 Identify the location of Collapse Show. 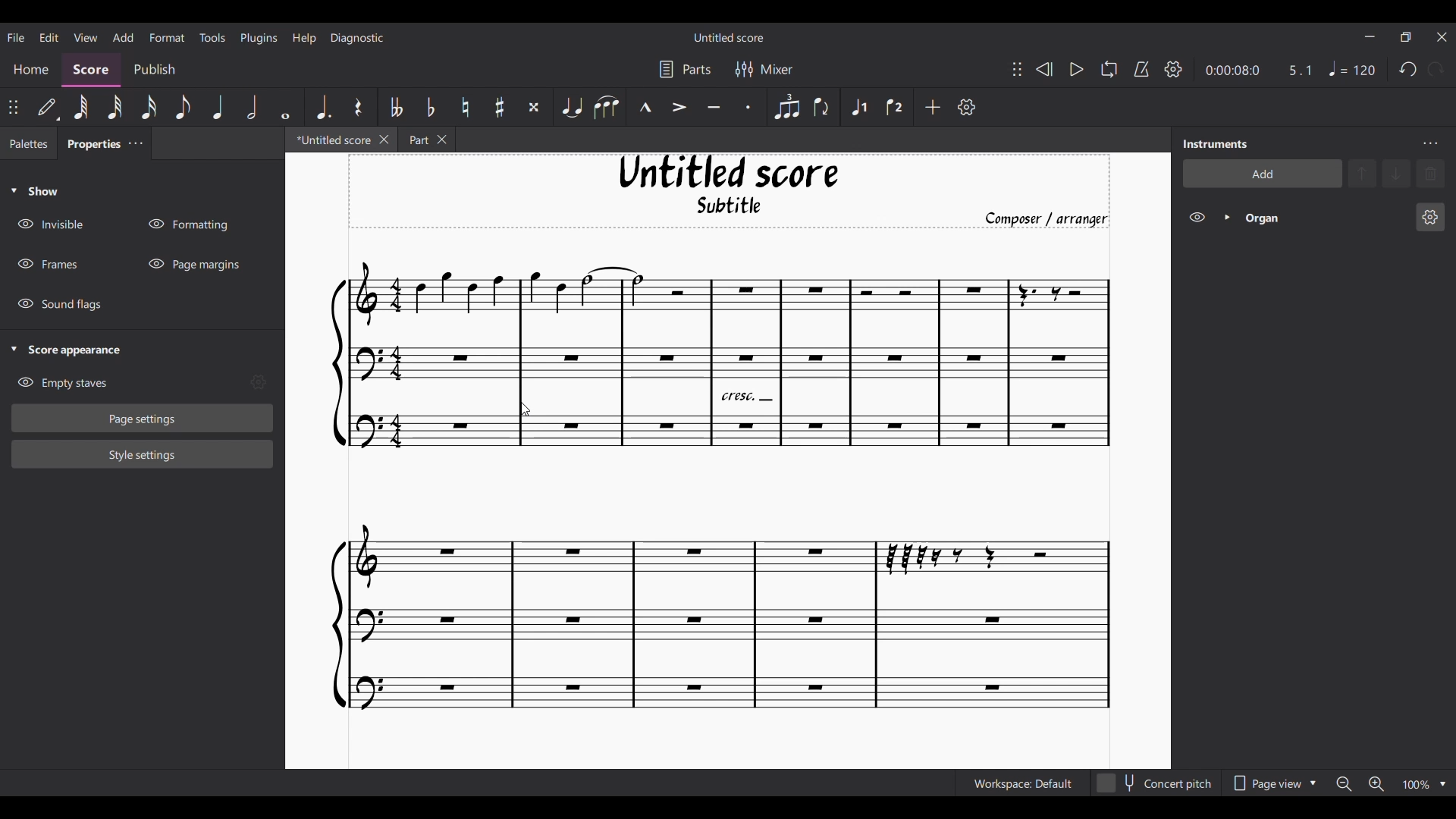
(34, 191).